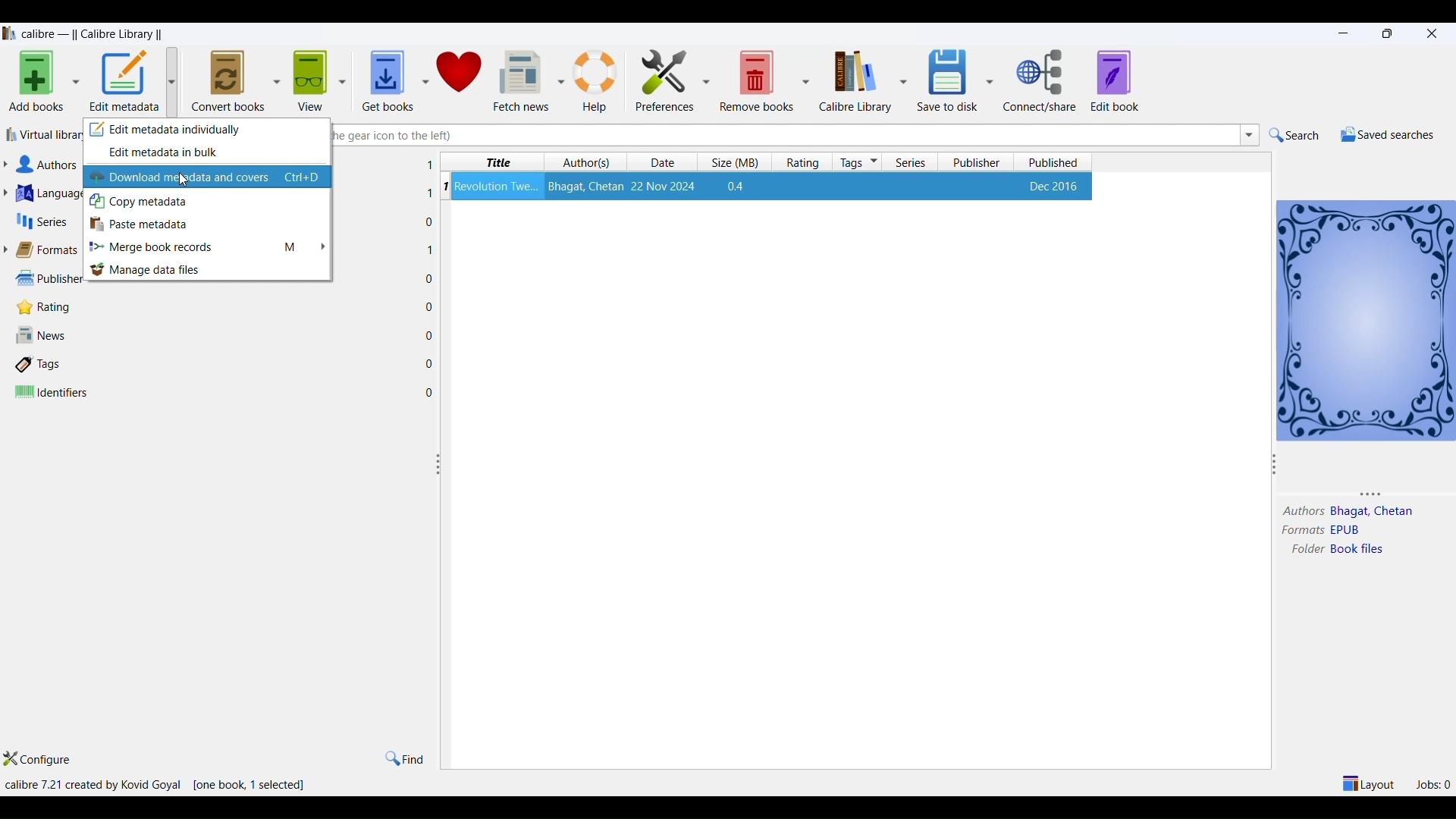 Image resolution: width=1456 pixels, height=819 pixels. Describe the element at coordinates (463, 76) in the screenshot. I see `donate to calibre` at that location.